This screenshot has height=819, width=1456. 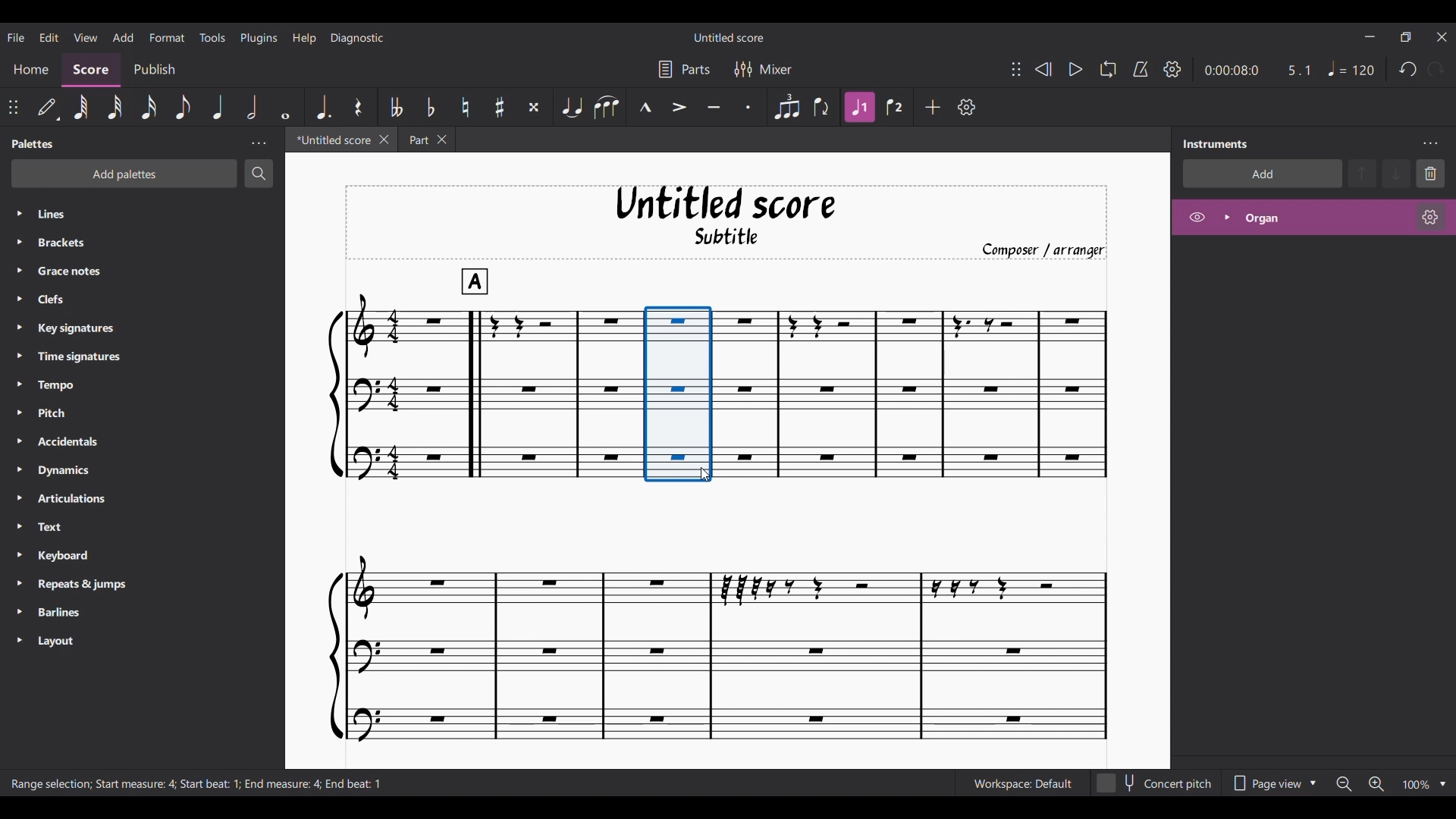 I want to click on Toggle natural, so click(x=466, y=107).